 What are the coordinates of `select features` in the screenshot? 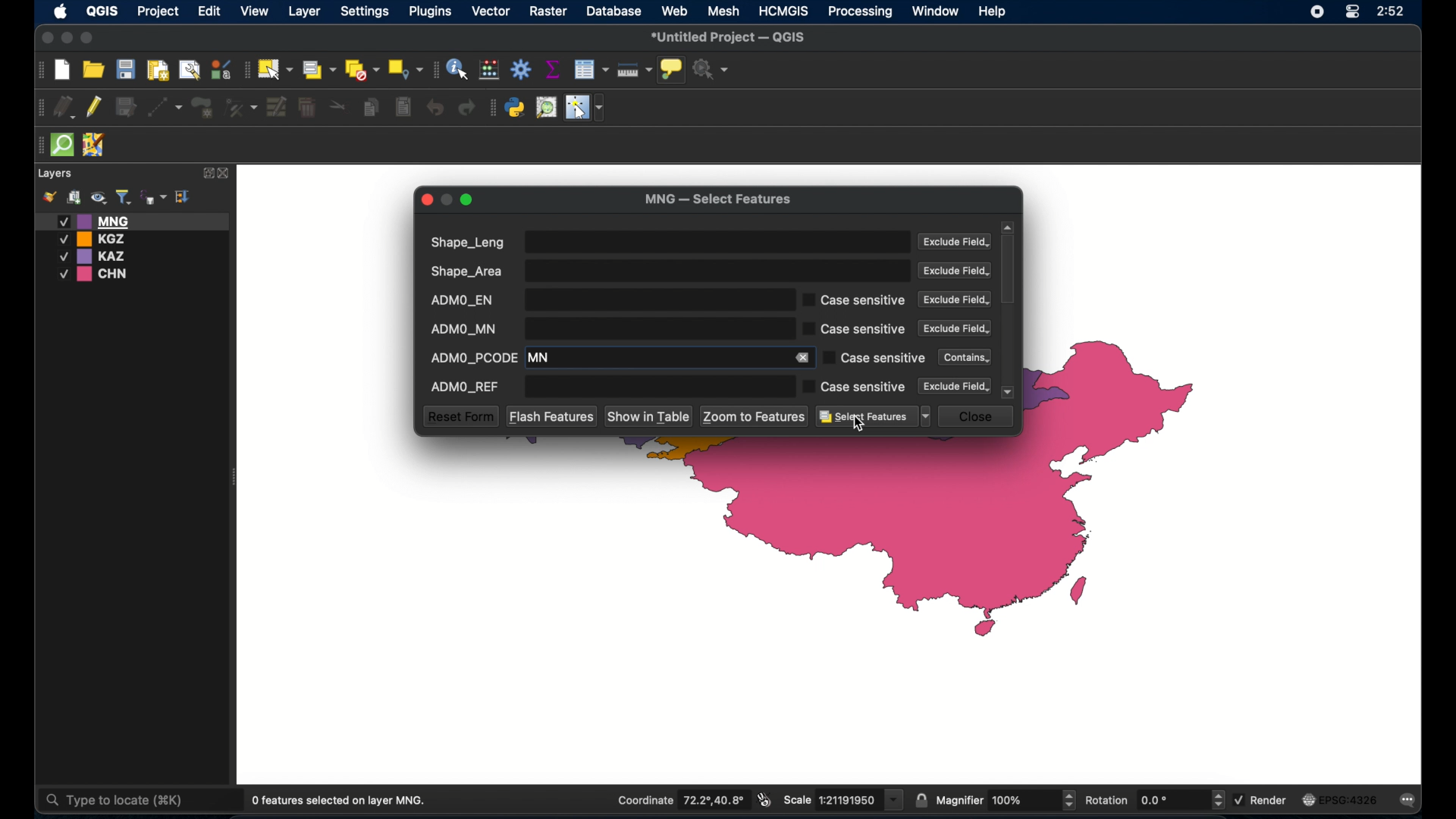 It's located at (275, 69).